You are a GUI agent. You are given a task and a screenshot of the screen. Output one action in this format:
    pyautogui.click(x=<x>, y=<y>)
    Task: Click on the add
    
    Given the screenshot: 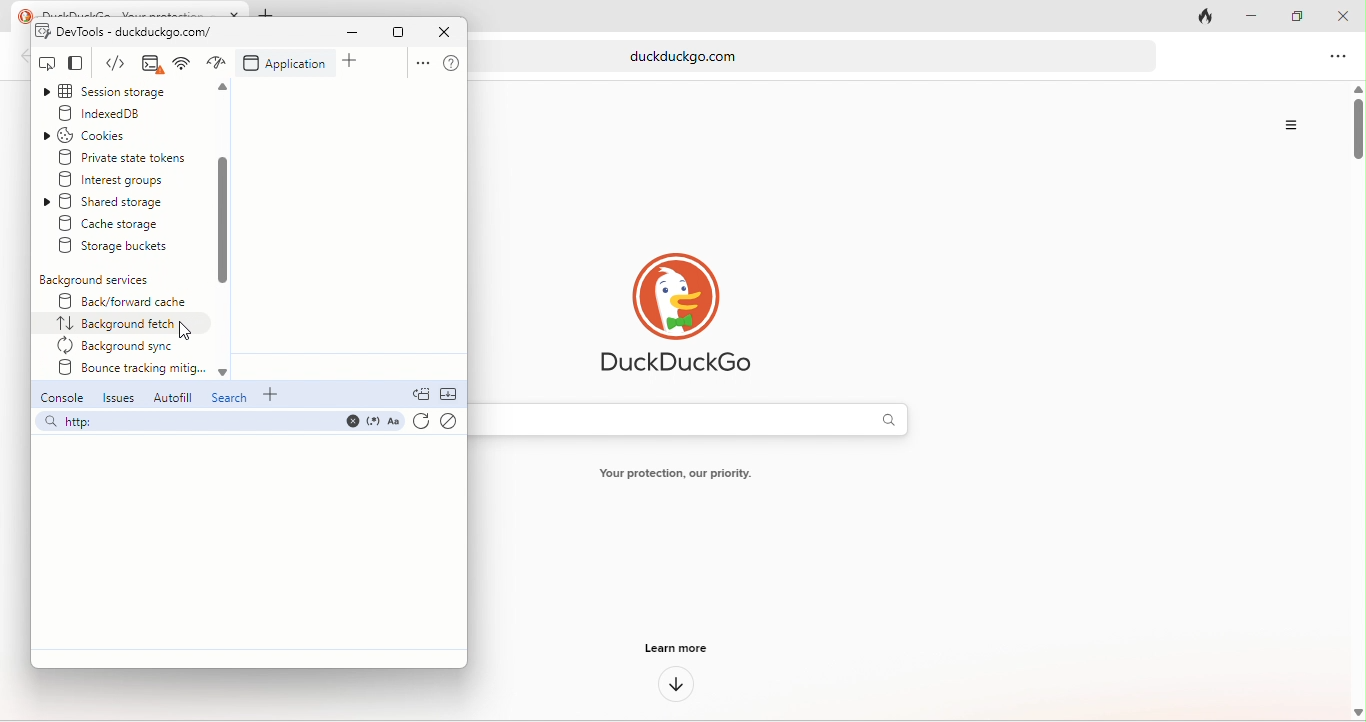 What is the action you would take?
    pyautogui.click(x=356, y=63)
    